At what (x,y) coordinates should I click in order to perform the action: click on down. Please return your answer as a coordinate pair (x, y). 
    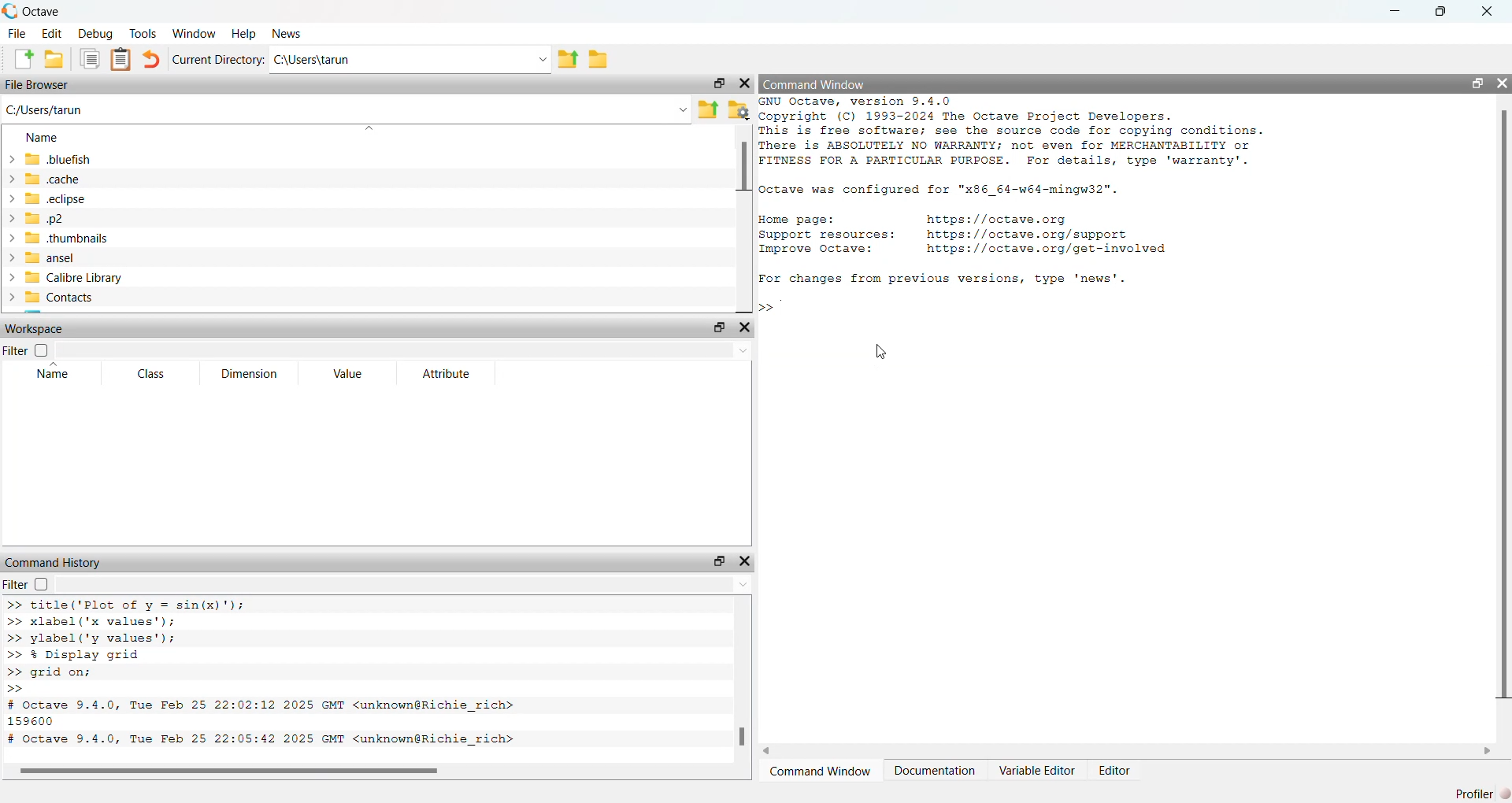
    Looking at the image, I should click on (680, 110).